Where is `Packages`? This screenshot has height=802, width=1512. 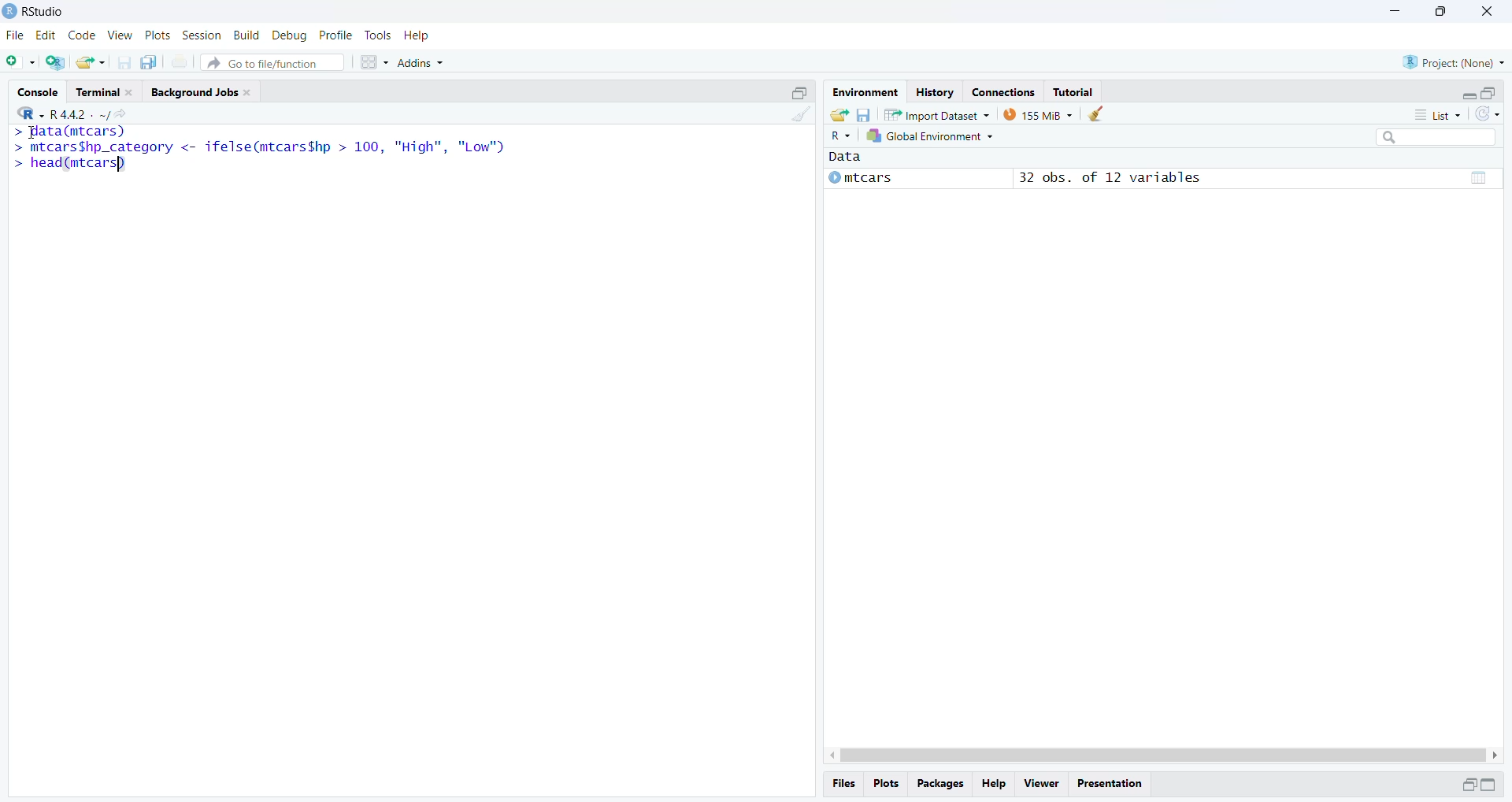 Packages is located at coordinates (941, 785).